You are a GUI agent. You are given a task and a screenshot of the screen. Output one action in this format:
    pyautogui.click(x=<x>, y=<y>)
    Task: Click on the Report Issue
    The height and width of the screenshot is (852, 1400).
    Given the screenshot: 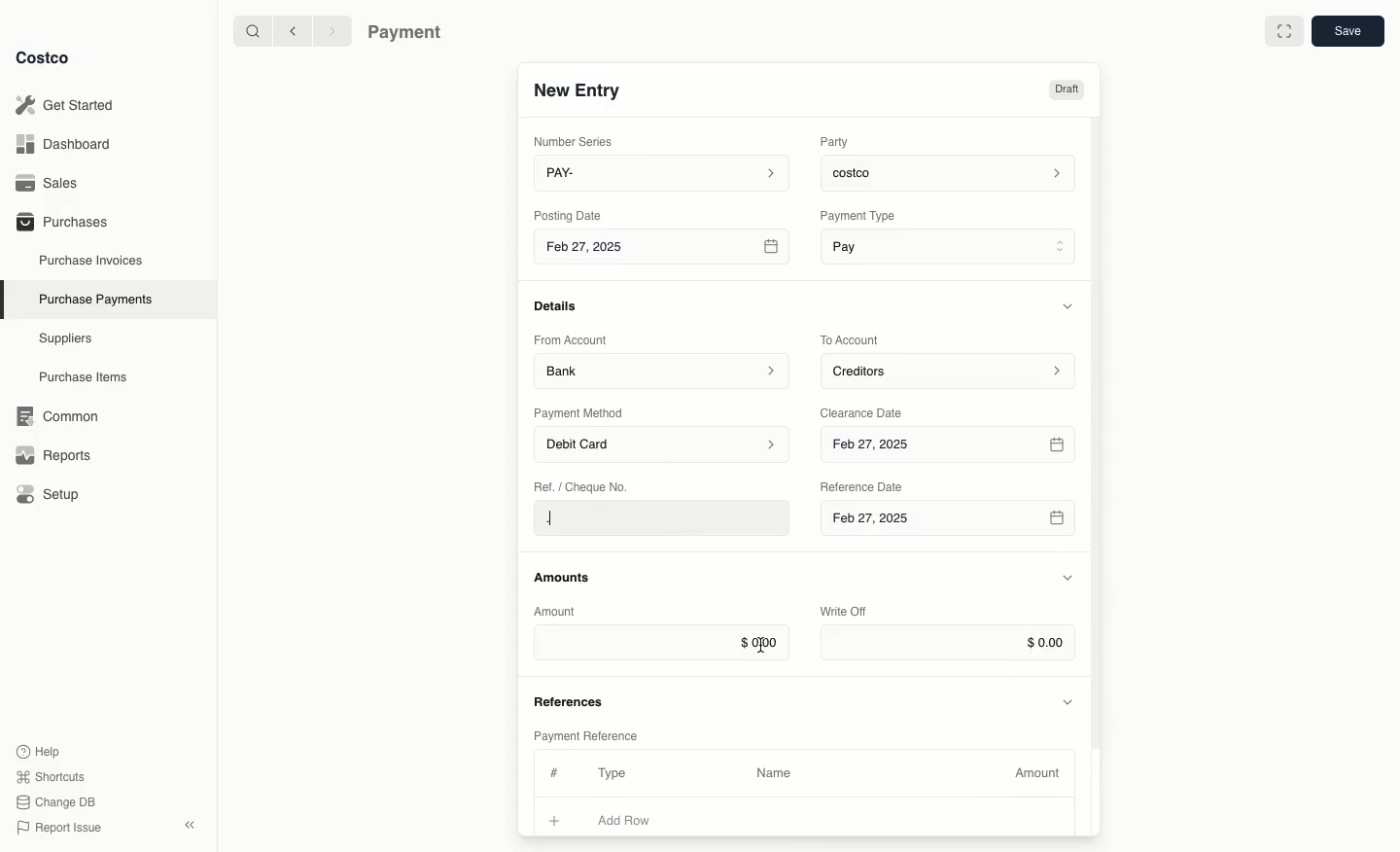 What is the action you would take?
    pyautogui.click(x=59, y=829)
    